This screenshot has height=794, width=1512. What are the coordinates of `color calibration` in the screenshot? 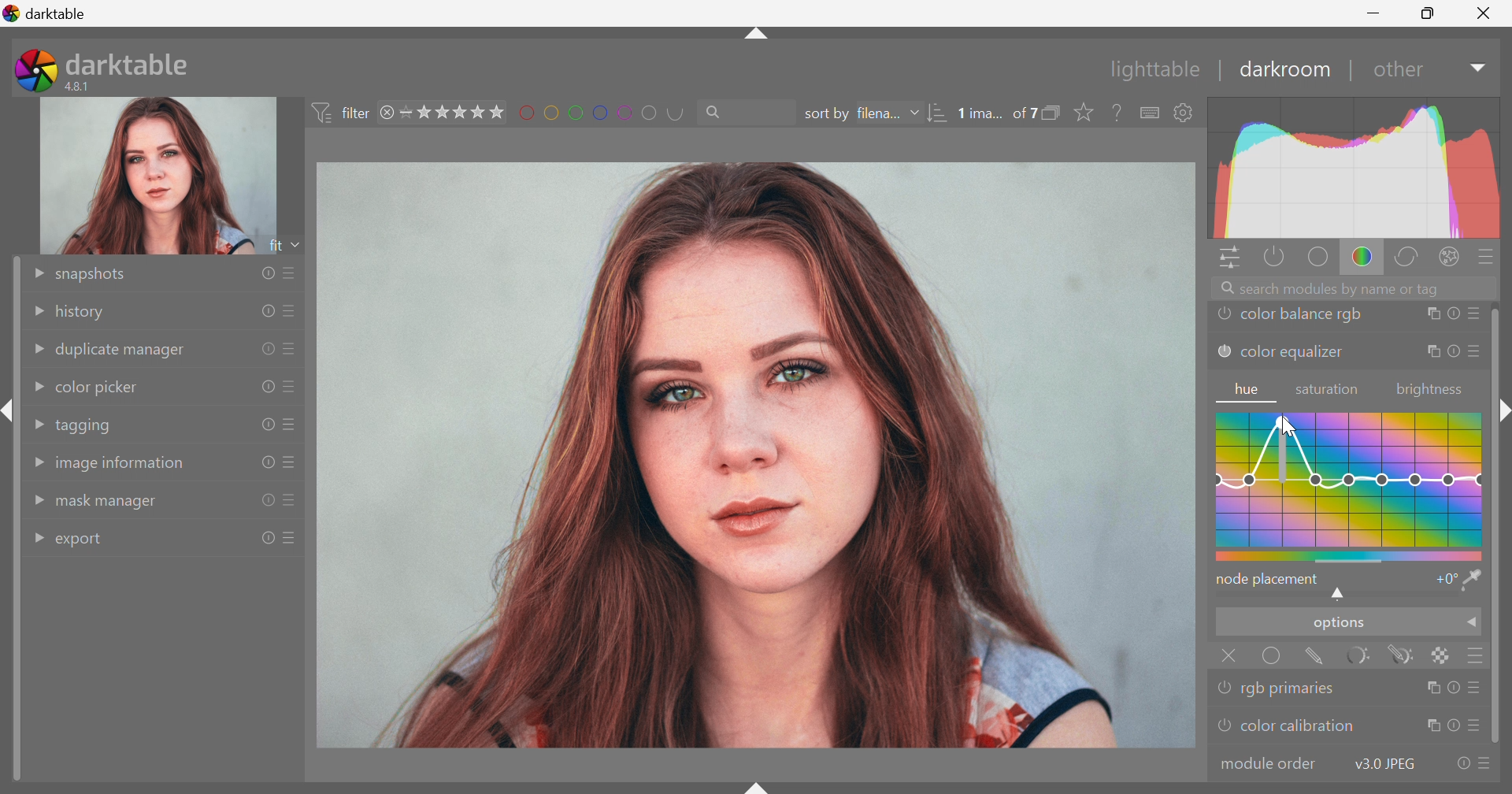 It's located at (1298, 726).